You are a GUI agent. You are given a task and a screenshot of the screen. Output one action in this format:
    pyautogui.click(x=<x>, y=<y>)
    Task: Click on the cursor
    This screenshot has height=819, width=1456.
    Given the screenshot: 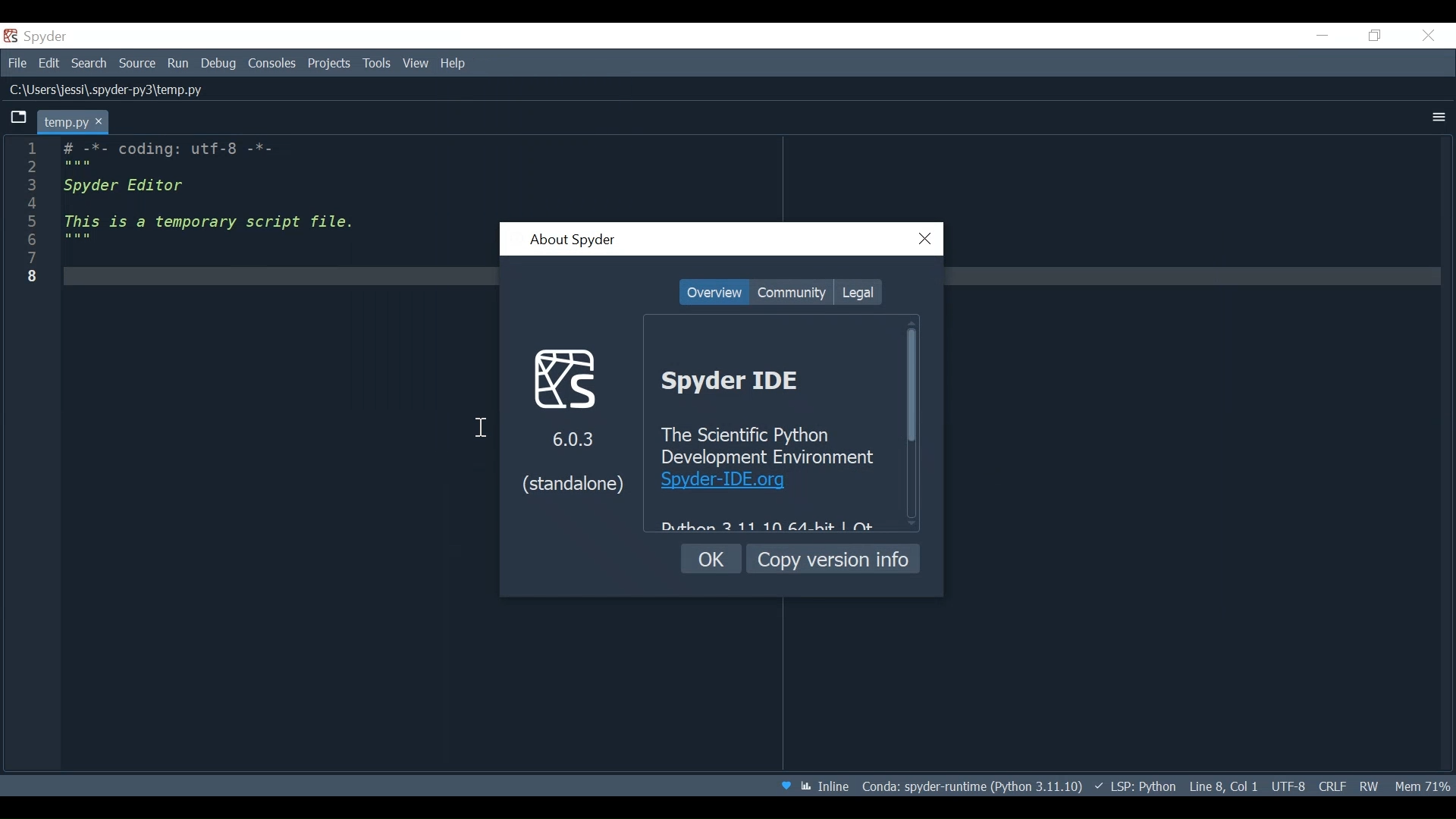 What is the action you would take?
    pyautogui.click(x=479, y=426)
    